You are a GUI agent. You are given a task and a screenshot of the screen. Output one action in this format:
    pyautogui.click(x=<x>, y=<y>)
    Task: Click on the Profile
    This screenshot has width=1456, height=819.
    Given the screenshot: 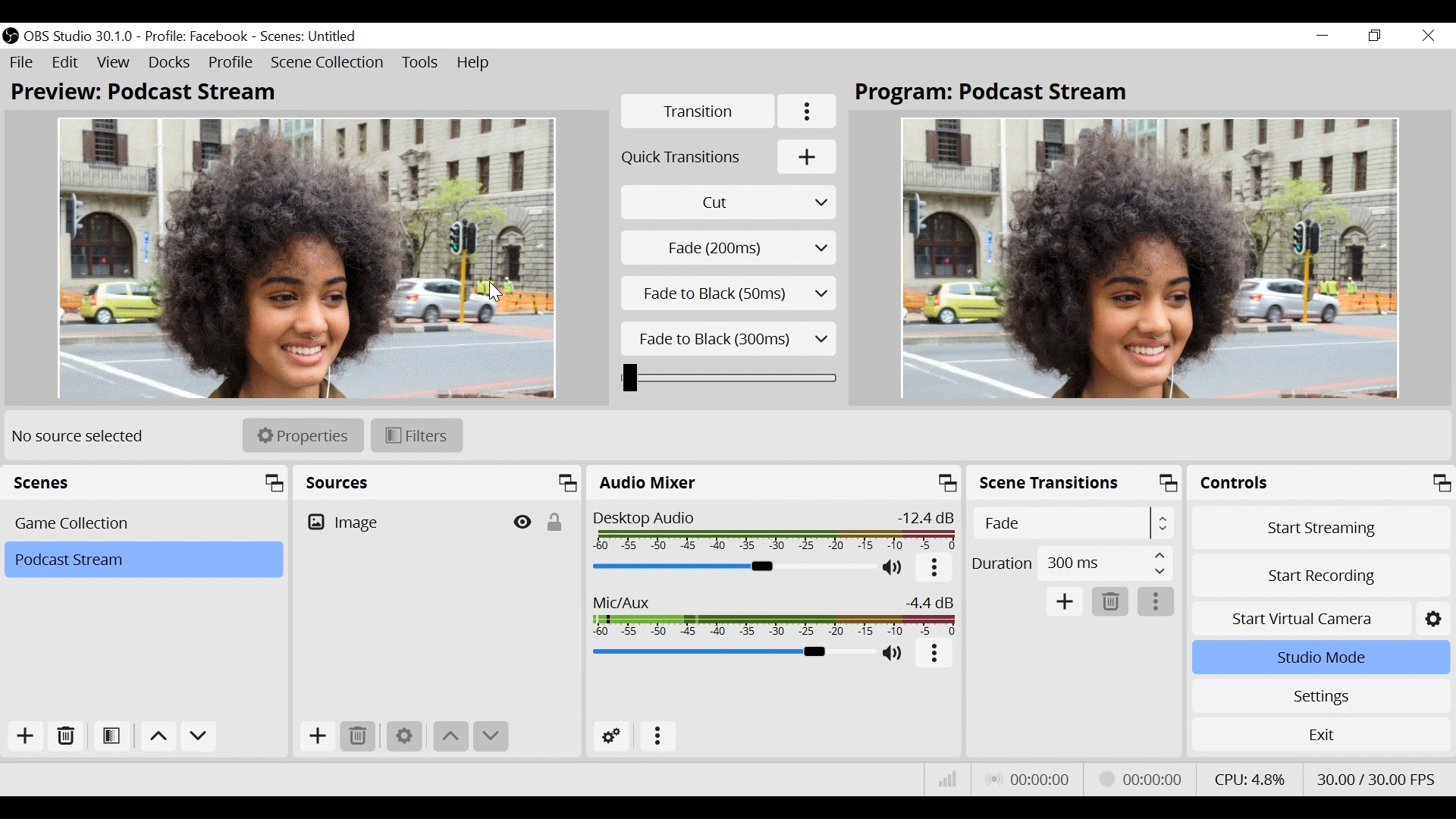 What is the action you would take?
    pyautogui.click(x=231, y=63)
    